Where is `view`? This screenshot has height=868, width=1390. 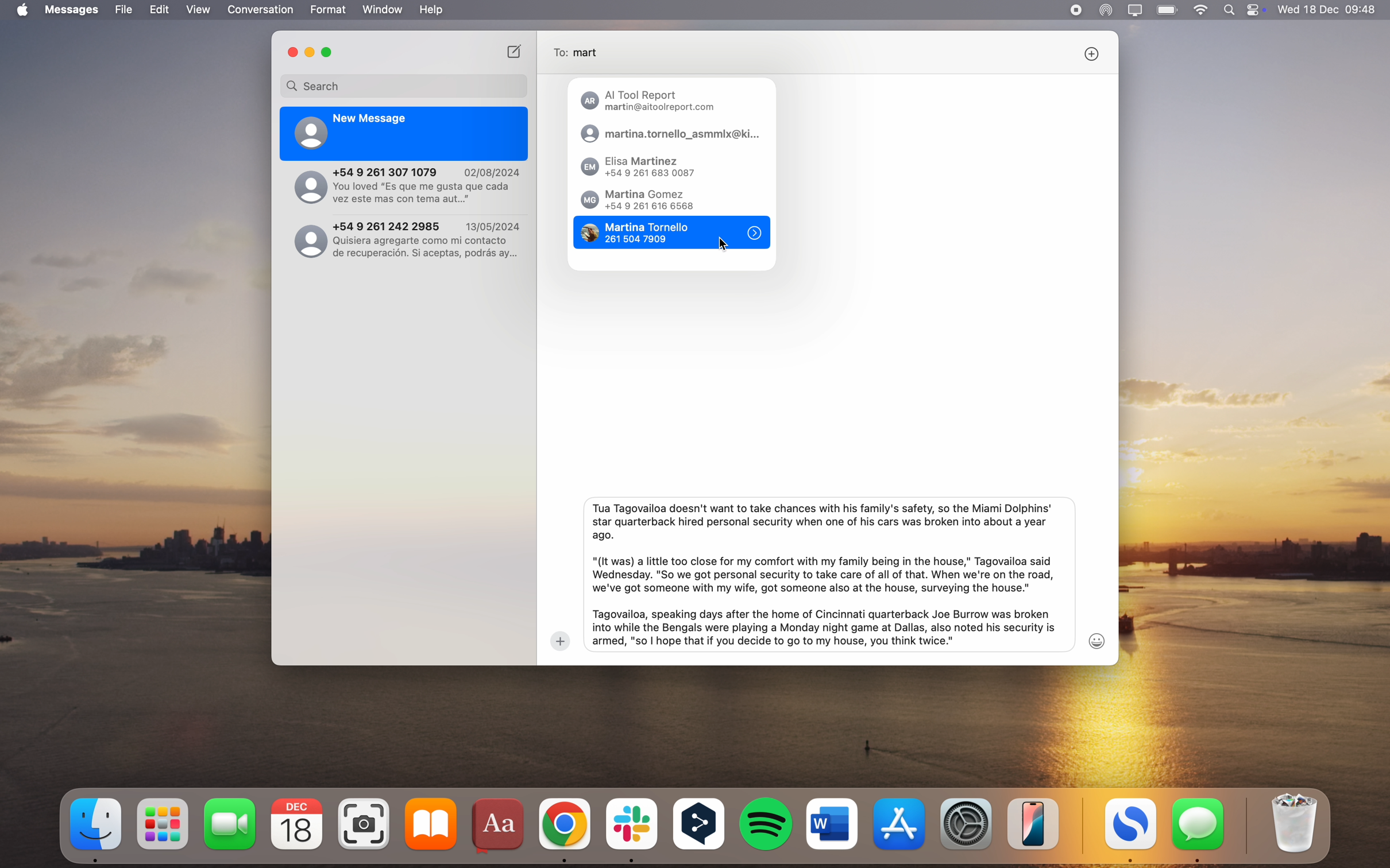 view is located at coordinates (198, 10).